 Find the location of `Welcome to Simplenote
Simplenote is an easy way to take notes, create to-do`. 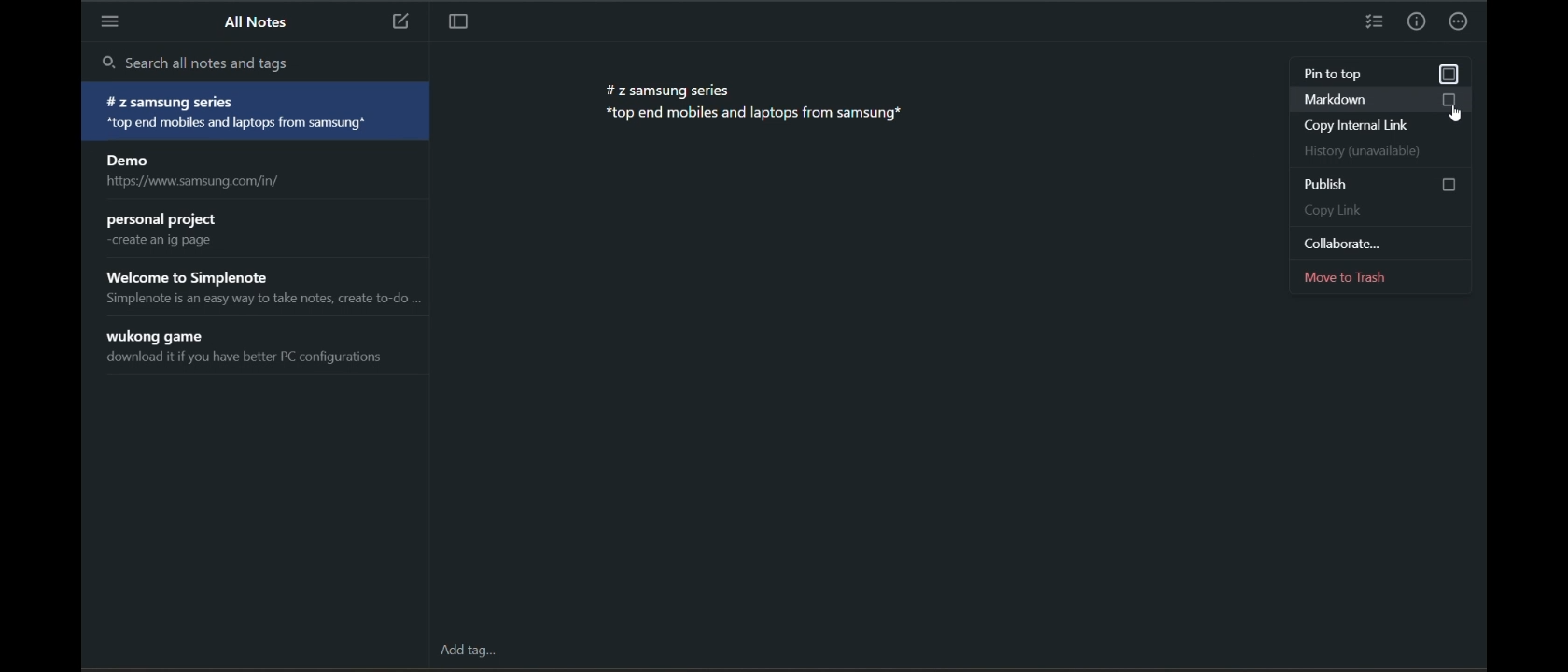

Welcome to Simplenote
Simplenote is an easy way to take notes, create to-do is located at coordinates (261, 289).